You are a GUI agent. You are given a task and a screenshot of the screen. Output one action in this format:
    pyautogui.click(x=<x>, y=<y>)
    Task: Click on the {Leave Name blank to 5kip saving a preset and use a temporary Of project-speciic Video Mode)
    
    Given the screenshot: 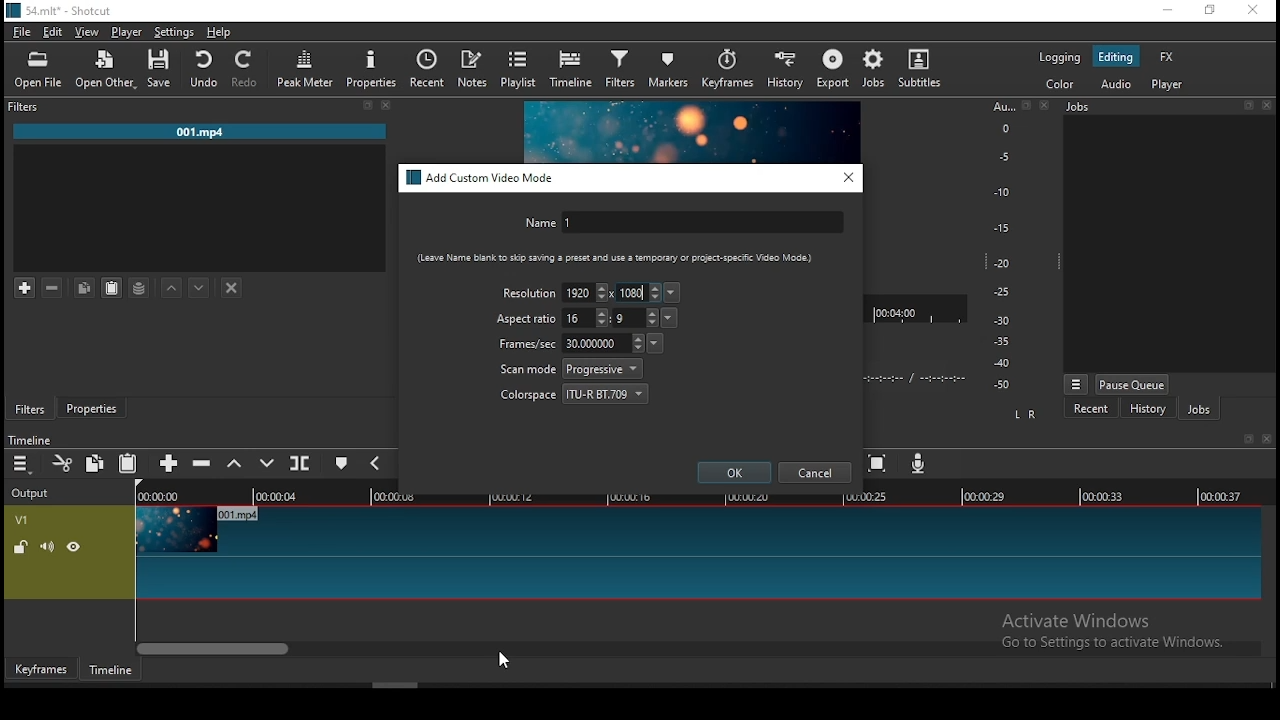 What is the action you would take?
    pyautogui.click(x=607, y=258)
    